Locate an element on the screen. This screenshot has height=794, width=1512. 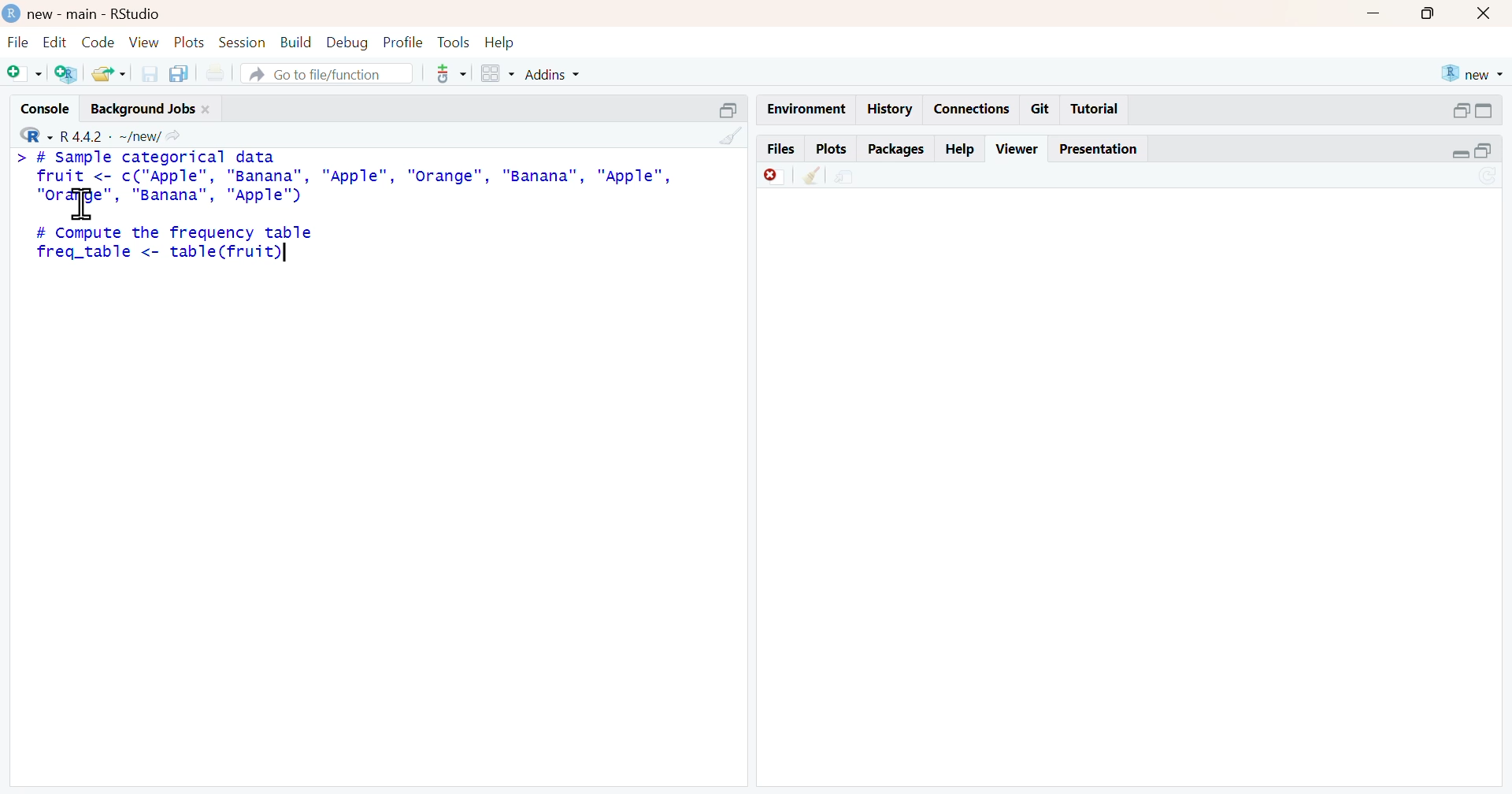
collapse is located at coordinates (732, 113).